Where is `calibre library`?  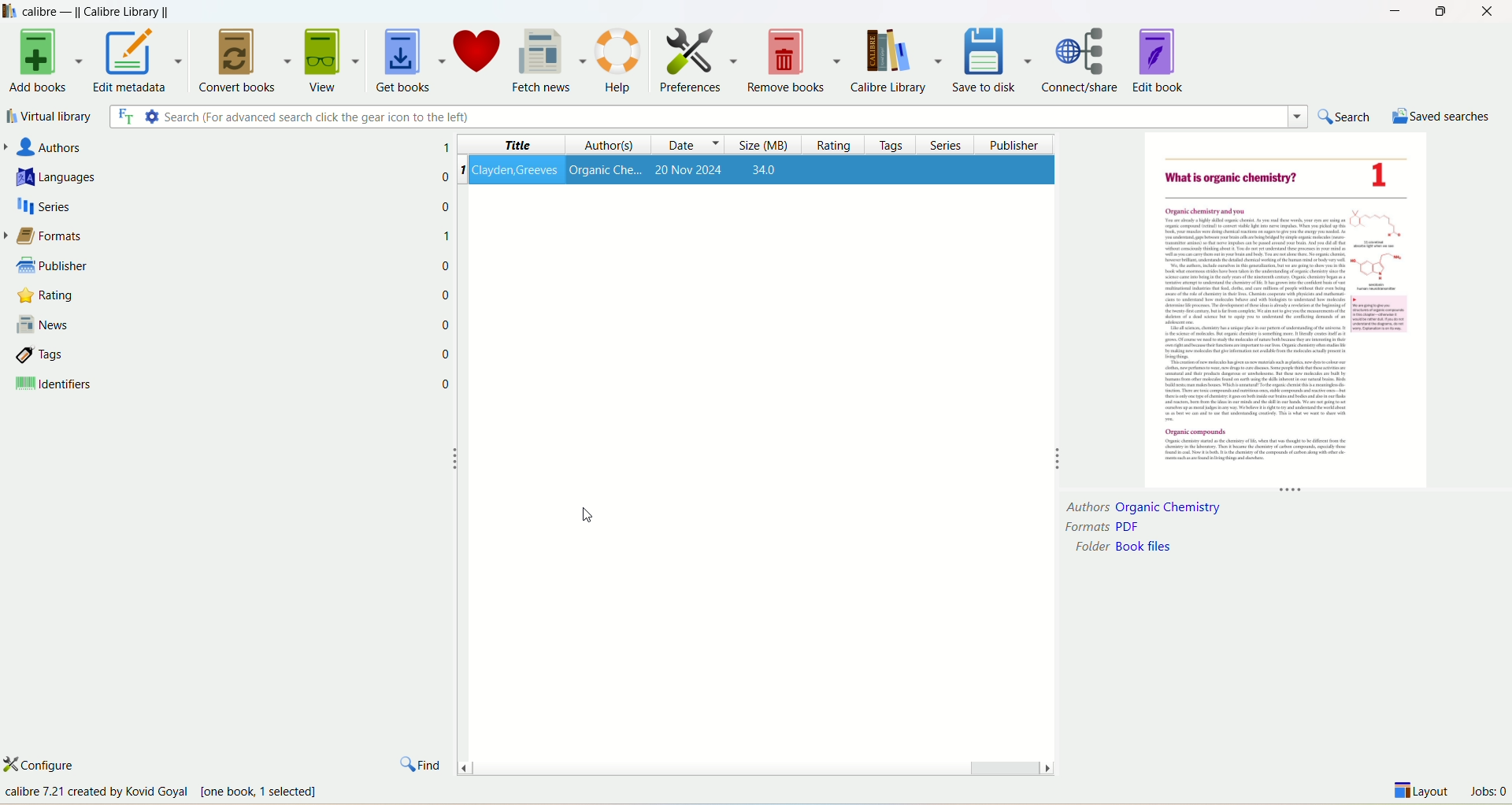 calibre library is located at coordinates (900, 61).